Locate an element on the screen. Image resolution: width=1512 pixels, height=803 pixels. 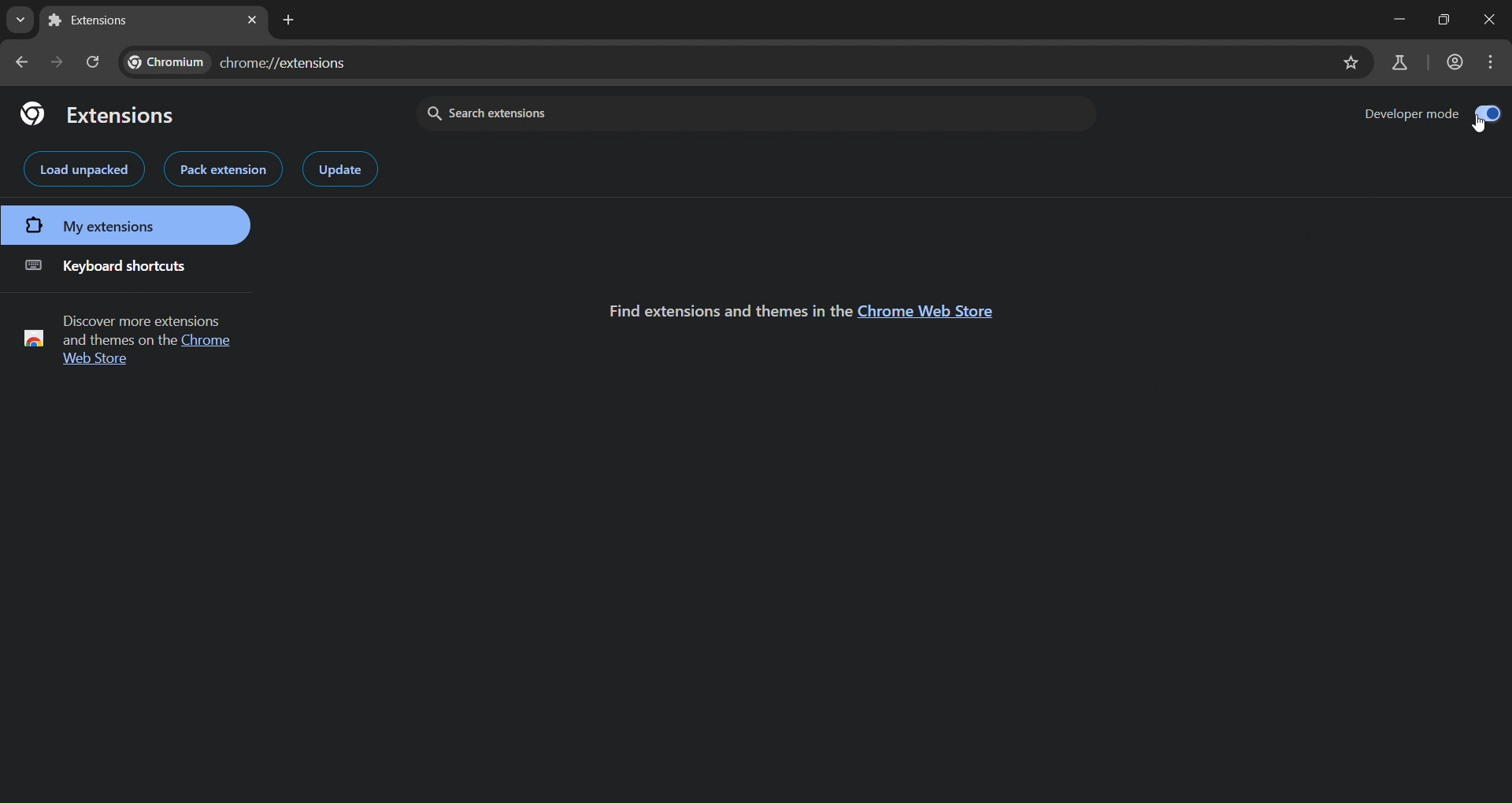
pack extension is located at coordinates (221, 169).